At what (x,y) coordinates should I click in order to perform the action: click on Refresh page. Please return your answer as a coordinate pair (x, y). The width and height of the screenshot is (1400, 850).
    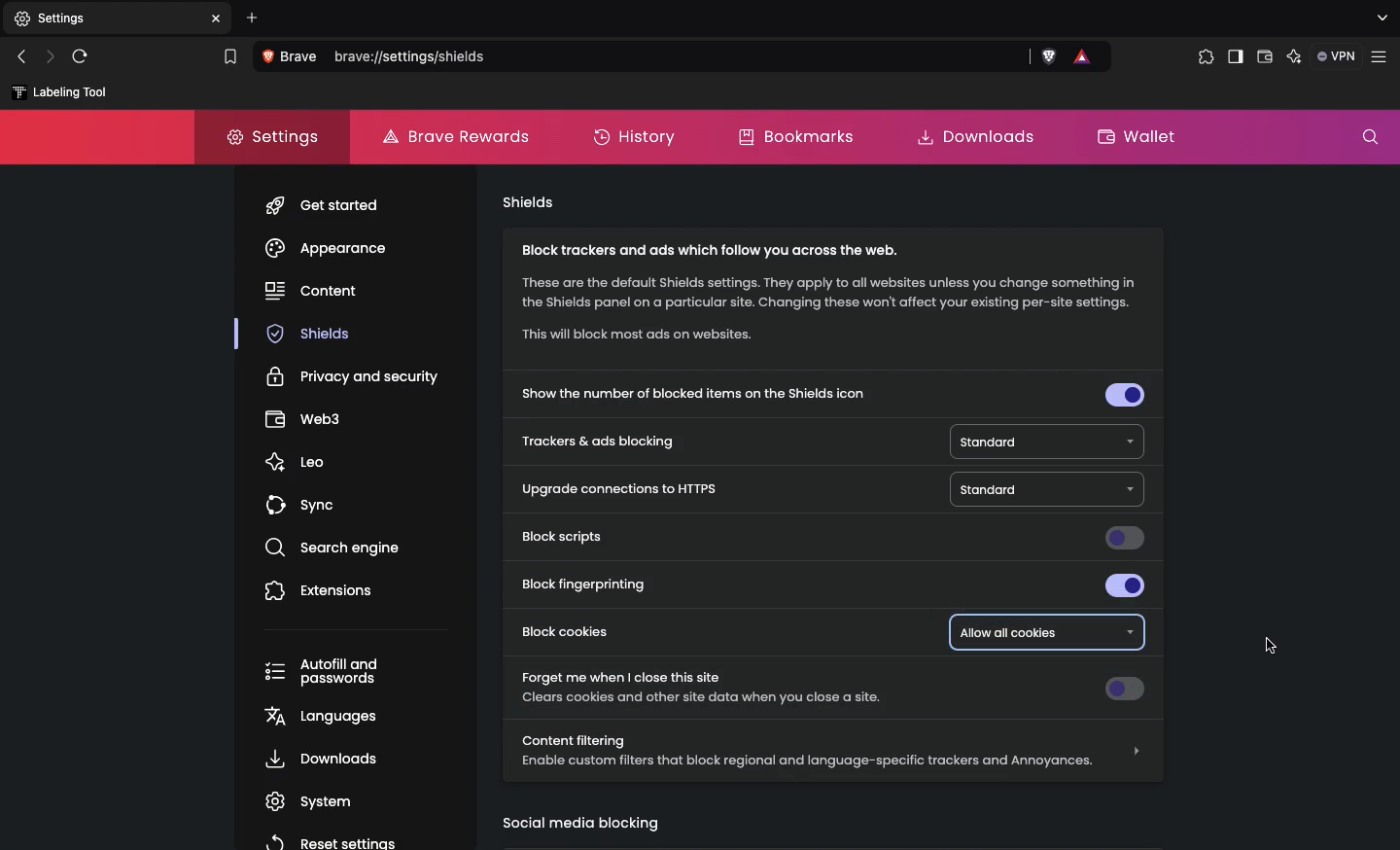
    Looking at the image, I should click on (80, 57).